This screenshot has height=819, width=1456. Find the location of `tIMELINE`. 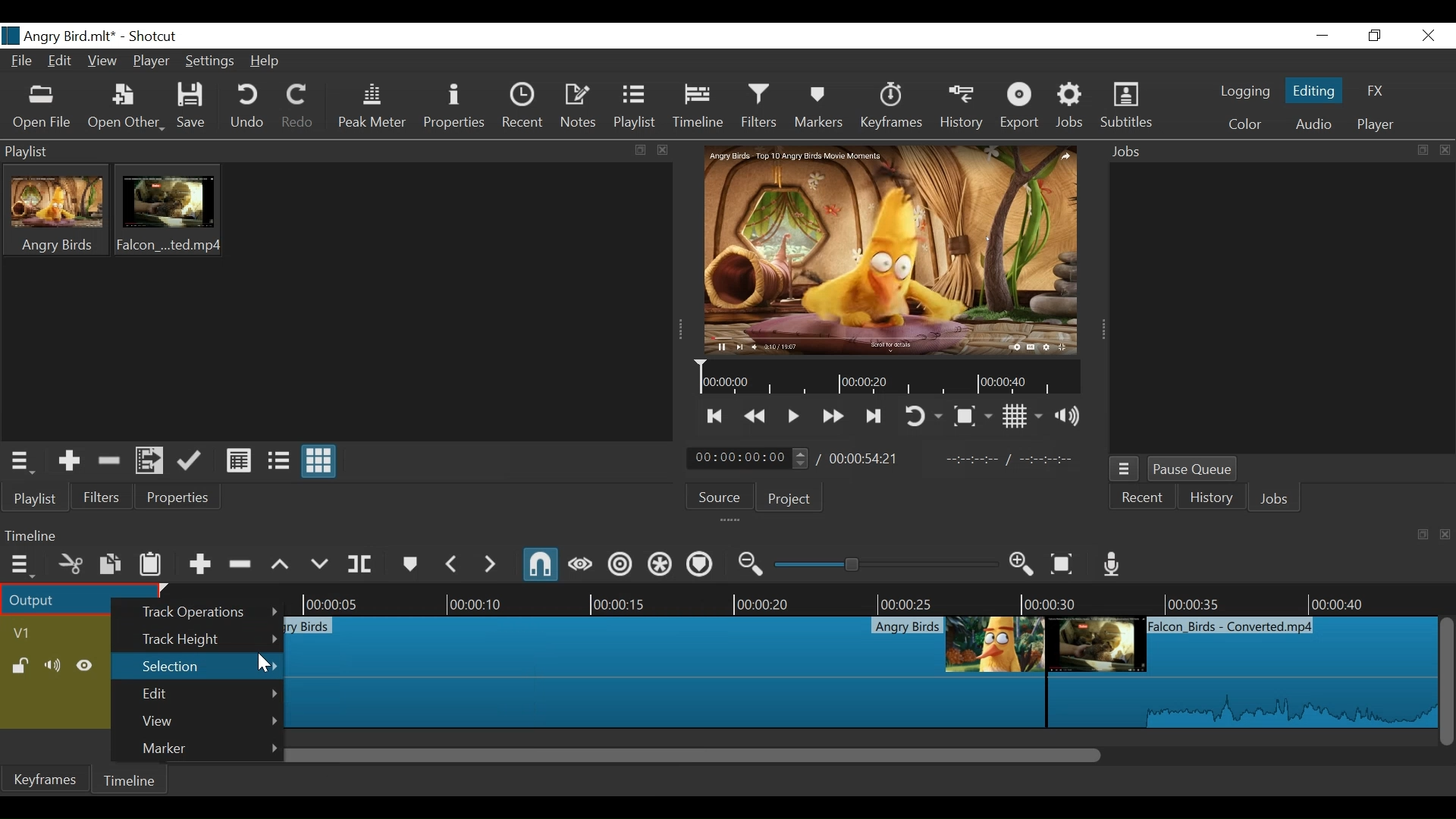

tIMELINE is located at coordinates (886, 378).